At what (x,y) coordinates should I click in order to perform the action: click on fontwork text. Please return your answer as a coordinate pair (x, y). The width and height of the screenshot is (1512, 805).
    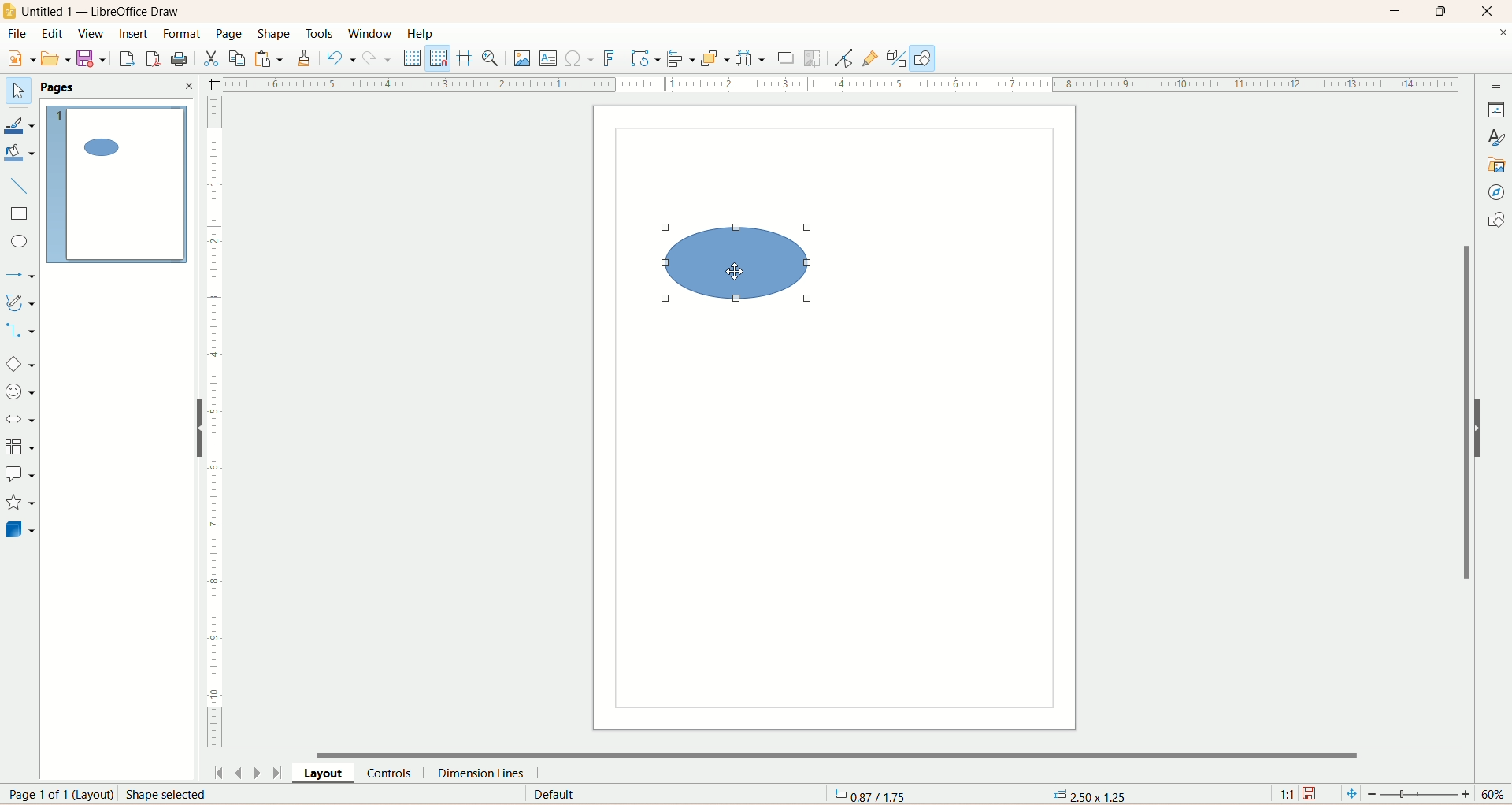
    Looking at the image, I should click on (609, 59).